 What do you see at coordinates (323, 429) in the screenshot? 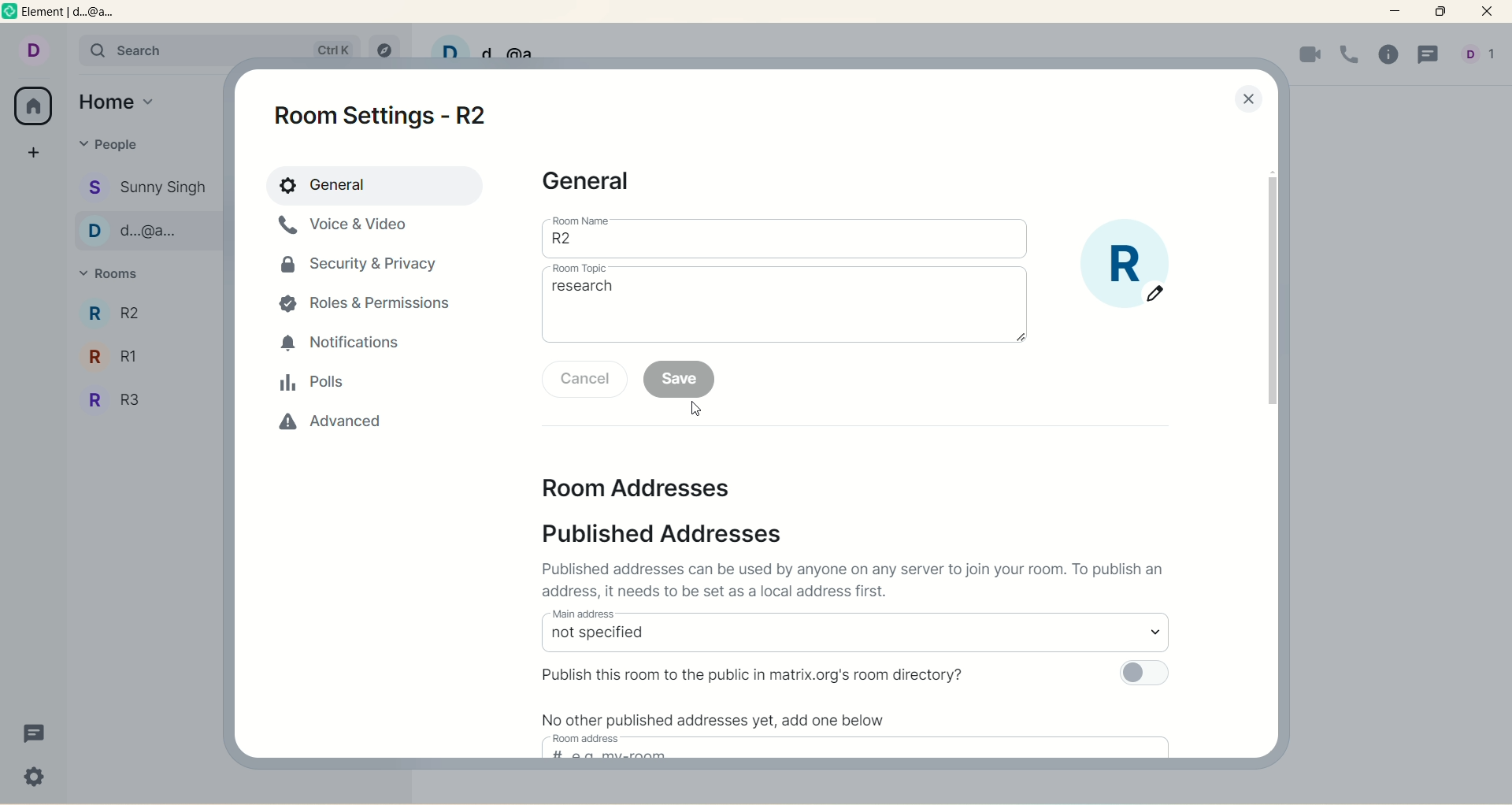
I see `advanced` at bounding box center [323, 429].